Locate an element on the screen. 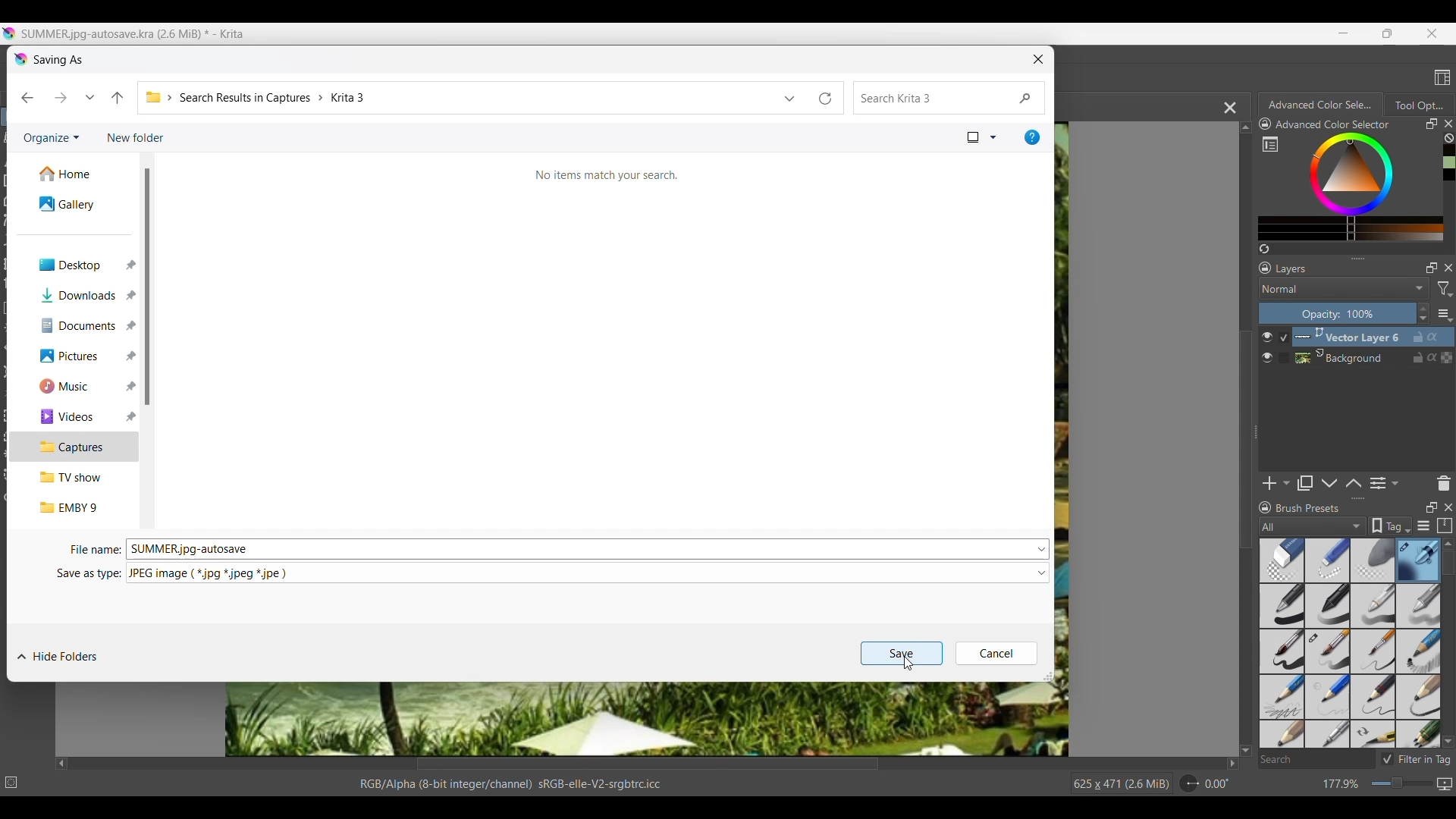 The image size is (1456, 819). Dial to change rotation is located at coordinates (1190, 784).